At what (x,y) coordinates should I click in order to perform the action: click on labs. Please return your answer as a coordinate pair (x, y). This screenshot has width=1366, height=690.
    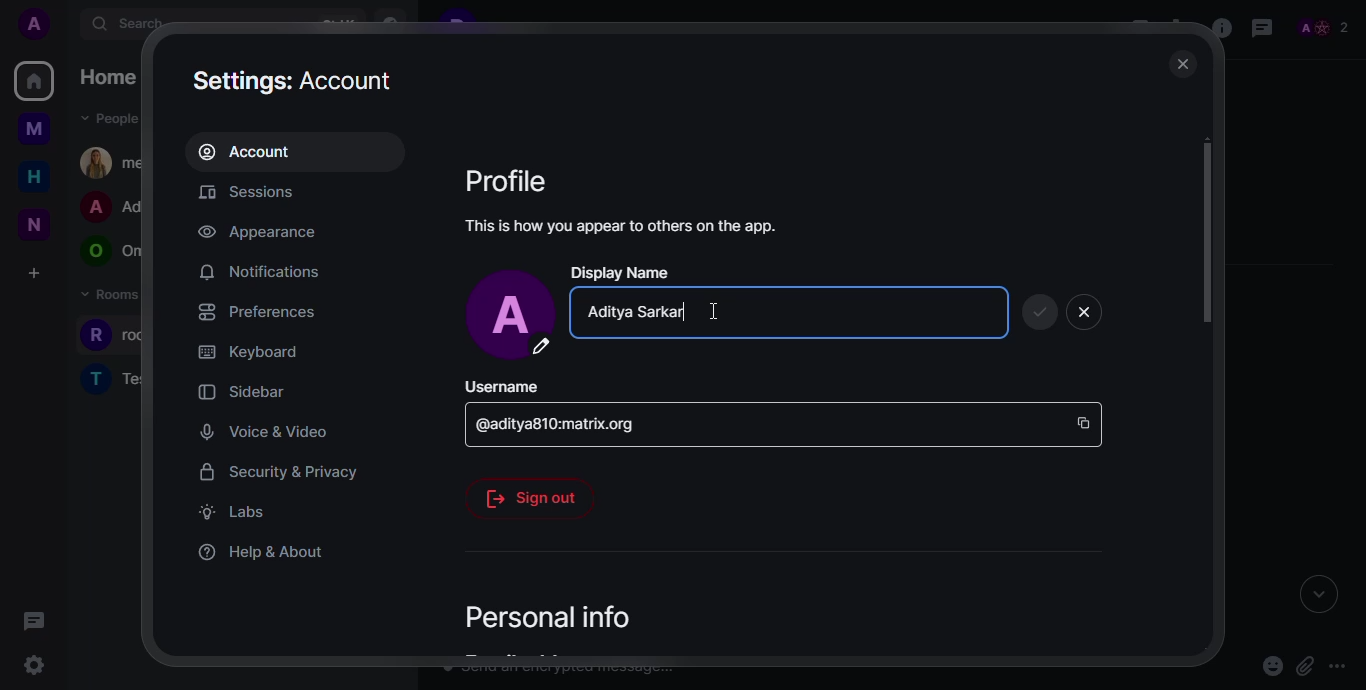
    Looking at the image, I should click on (233, 512).